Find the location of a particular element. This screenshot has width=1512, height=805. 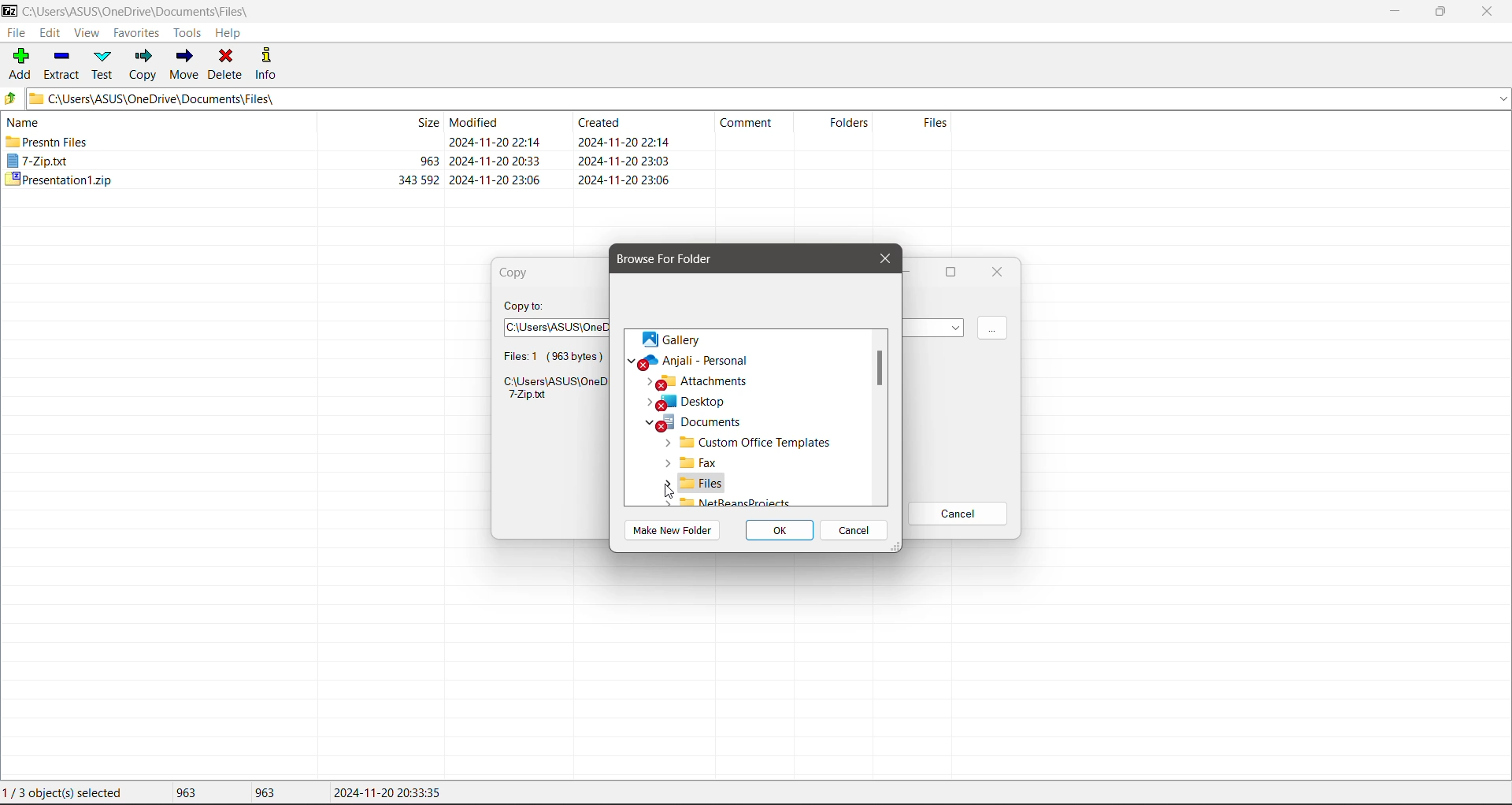

OK is located at coordinates (781, 531).